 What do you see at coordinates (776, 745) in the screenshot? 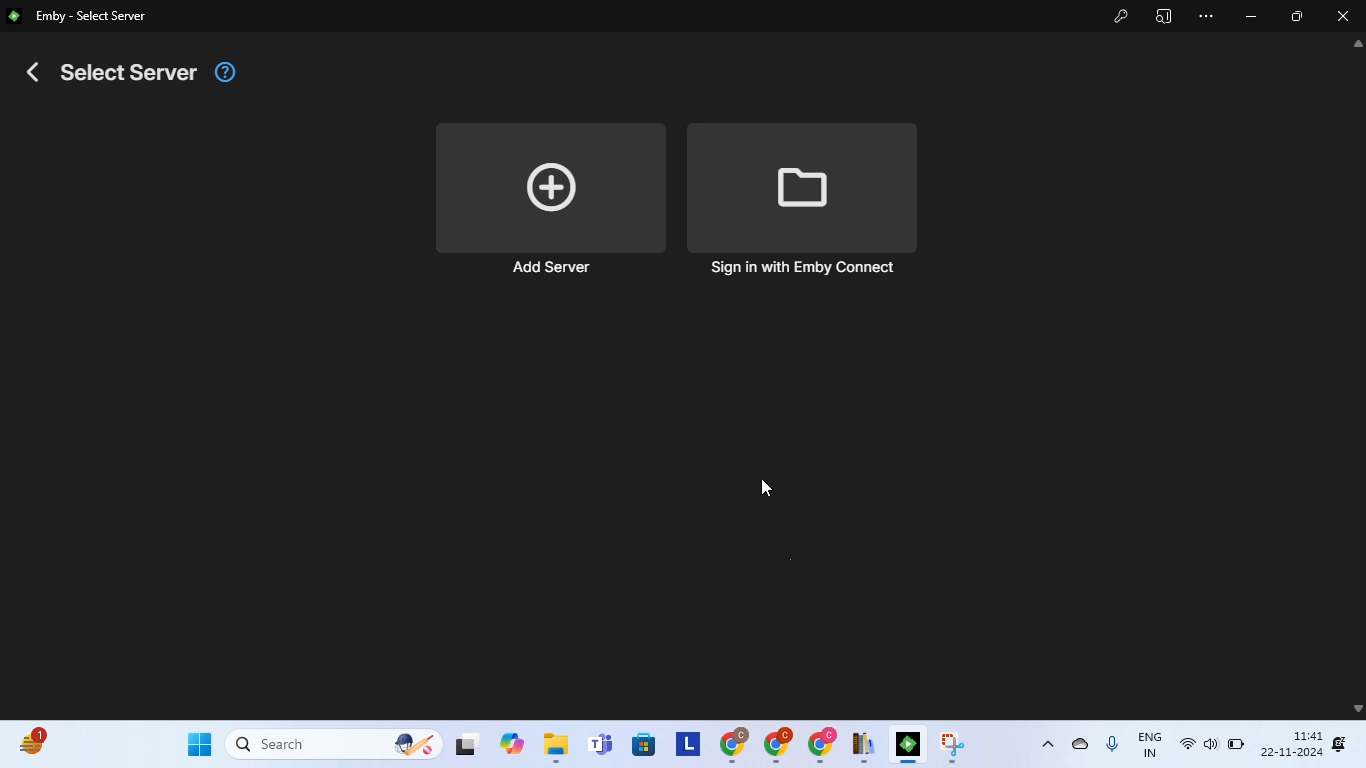
I see `chrome tabs` at bounding box center [776, 745].